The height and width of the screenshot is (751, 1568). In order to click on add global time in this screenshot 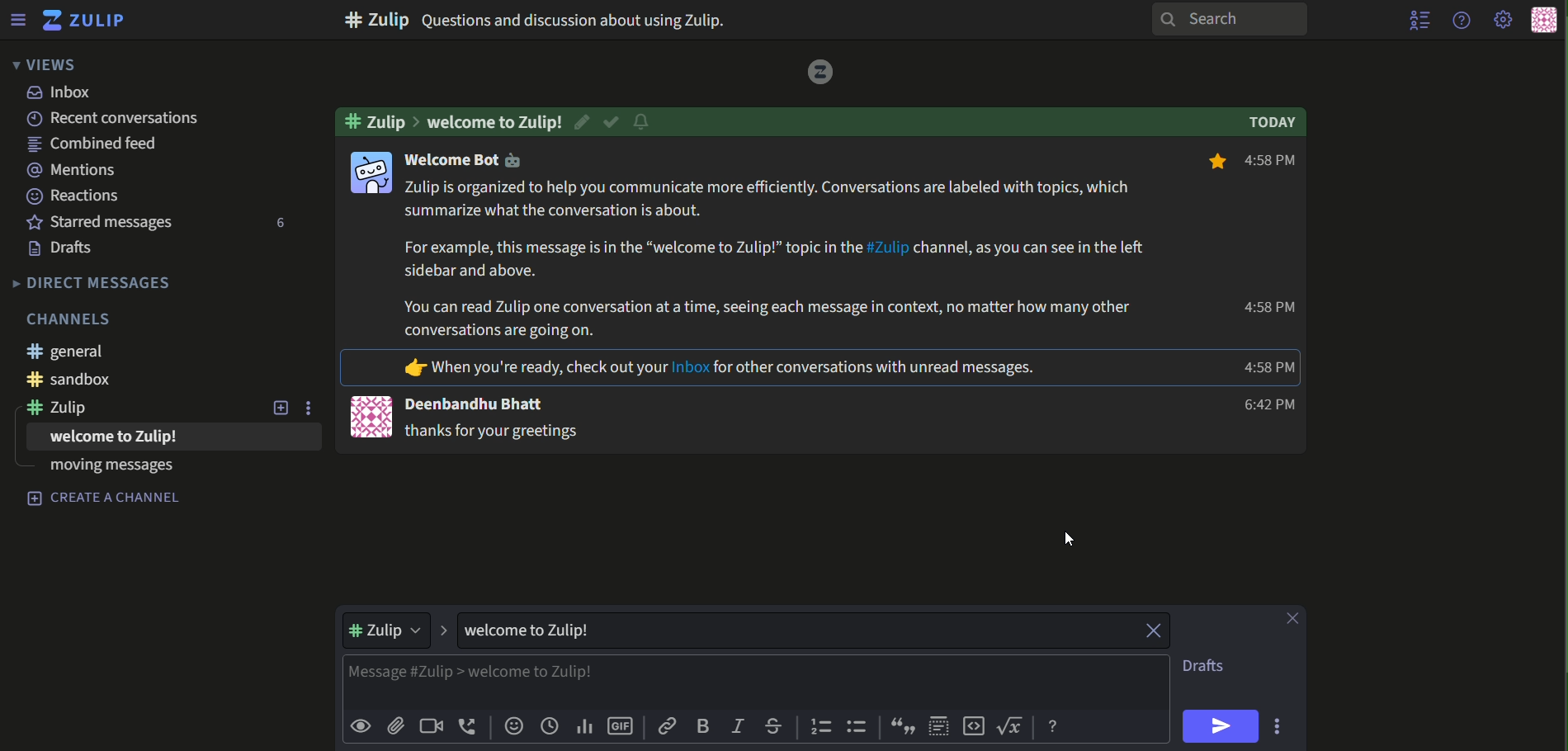, I will do `click(550, 727)`.